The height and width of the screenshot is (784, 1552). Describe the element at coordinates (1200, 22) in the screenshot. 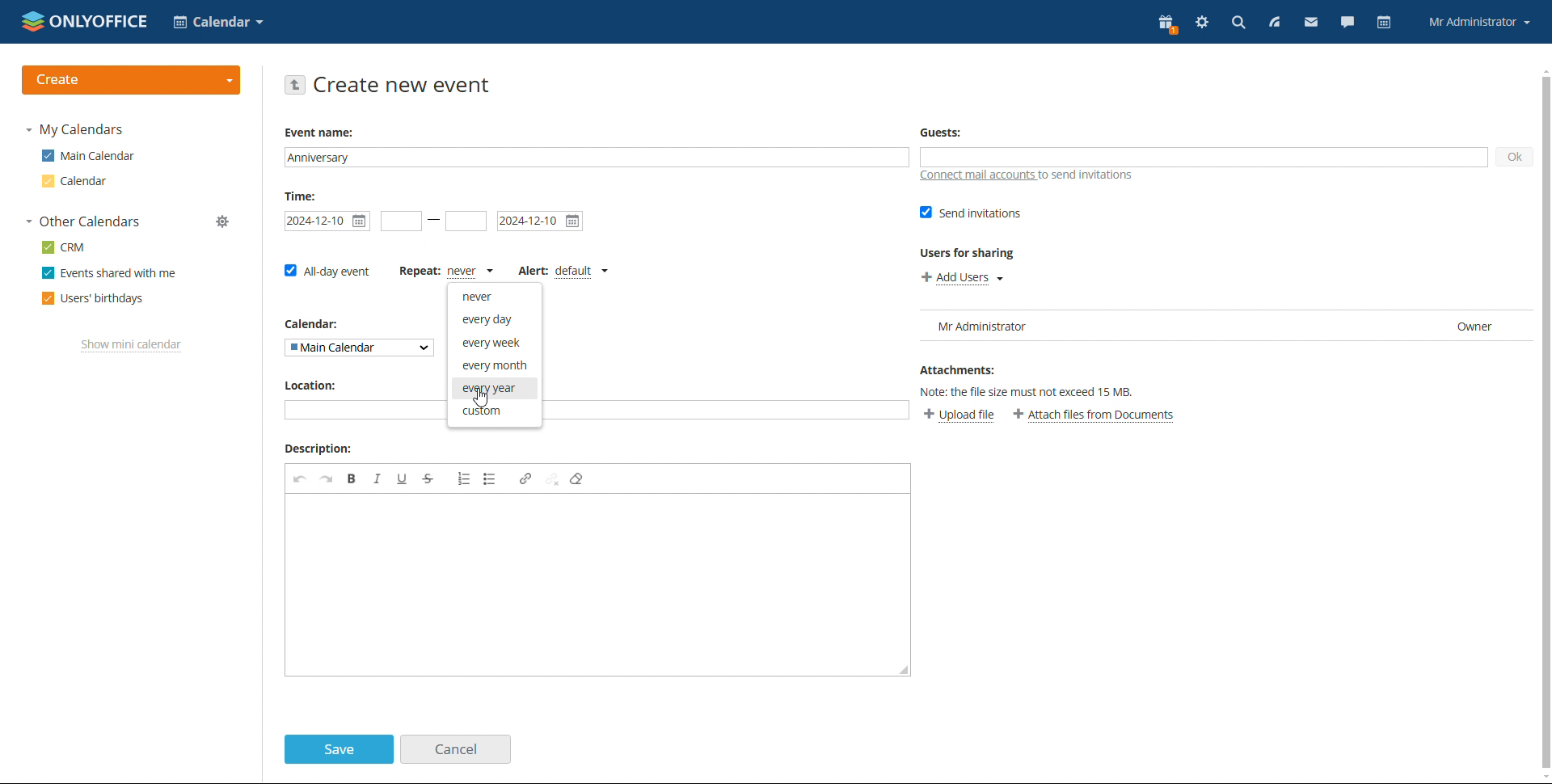

I see `settings` at that location.